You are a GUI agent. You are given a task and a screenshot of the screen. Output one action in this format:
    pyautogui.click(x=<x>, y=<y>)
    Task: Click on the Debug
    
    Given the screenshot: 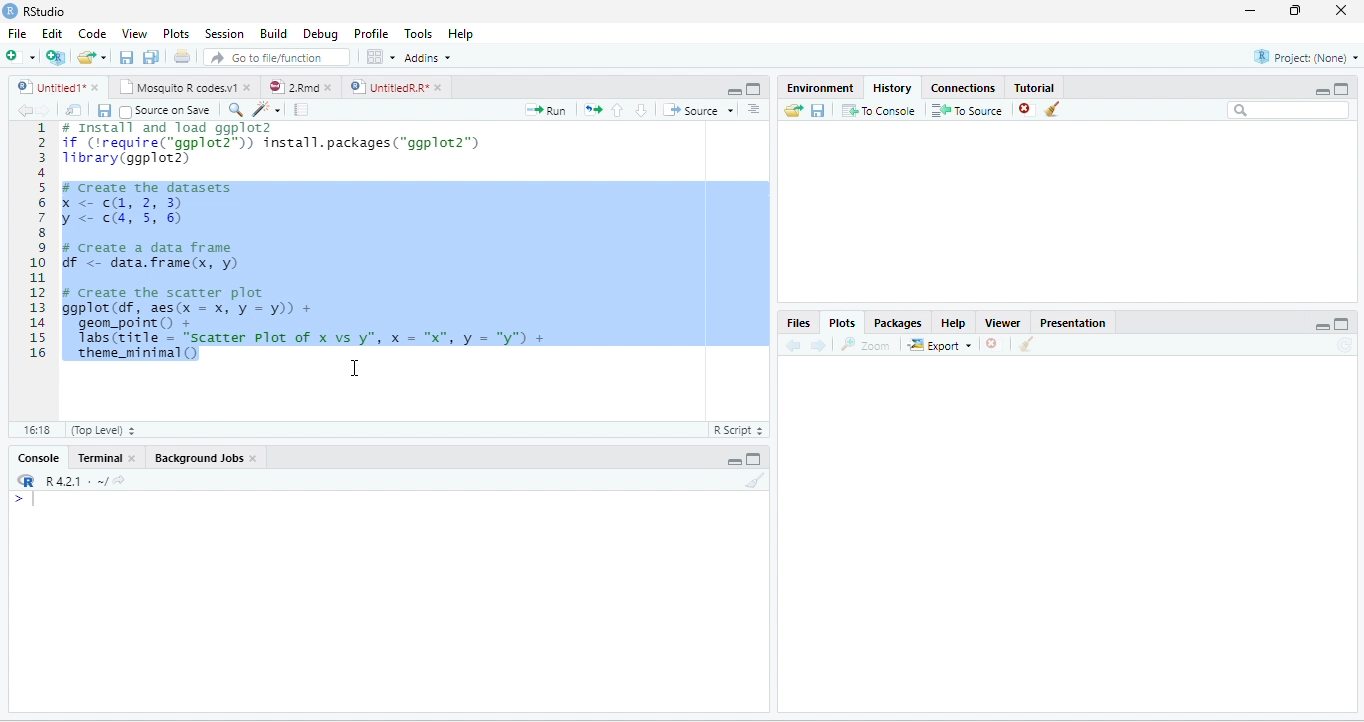 What is the action you would take?
    pyautogui.click(x=320, y=33)
    